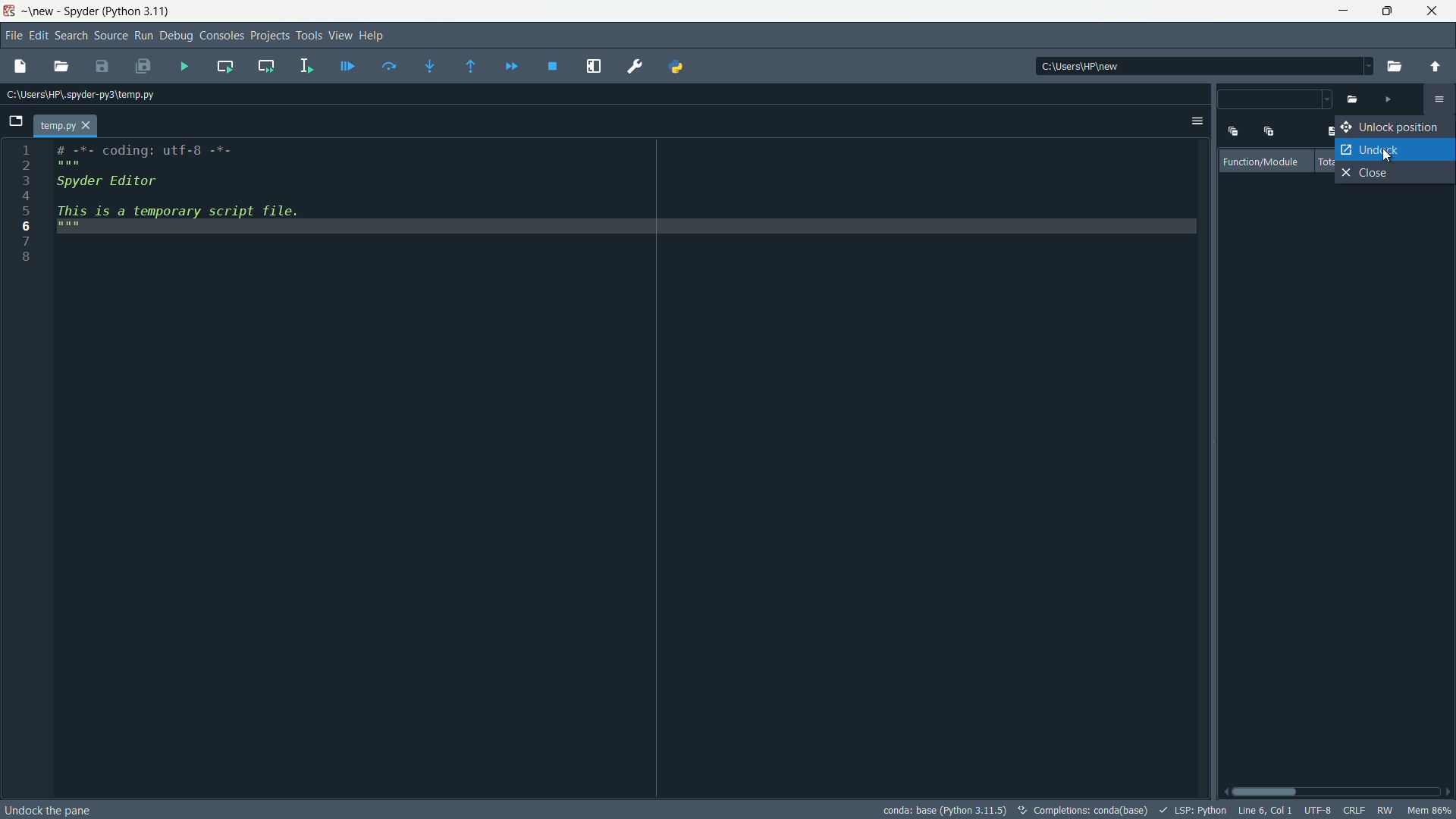  I want to click on 8, so click(28, 256).